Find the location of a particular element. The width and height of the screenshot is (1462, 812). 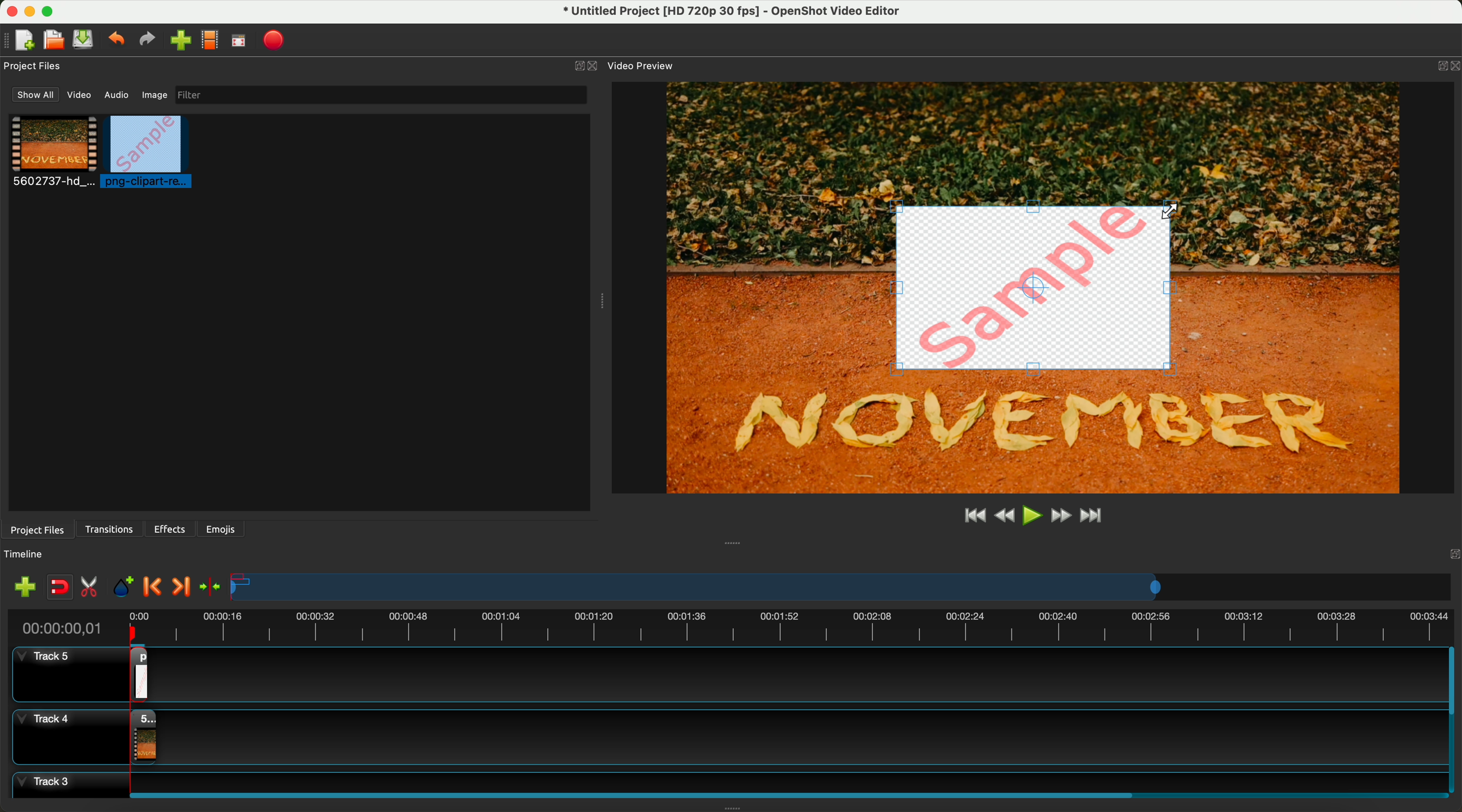

timeline is located at coordinates (842, 588).